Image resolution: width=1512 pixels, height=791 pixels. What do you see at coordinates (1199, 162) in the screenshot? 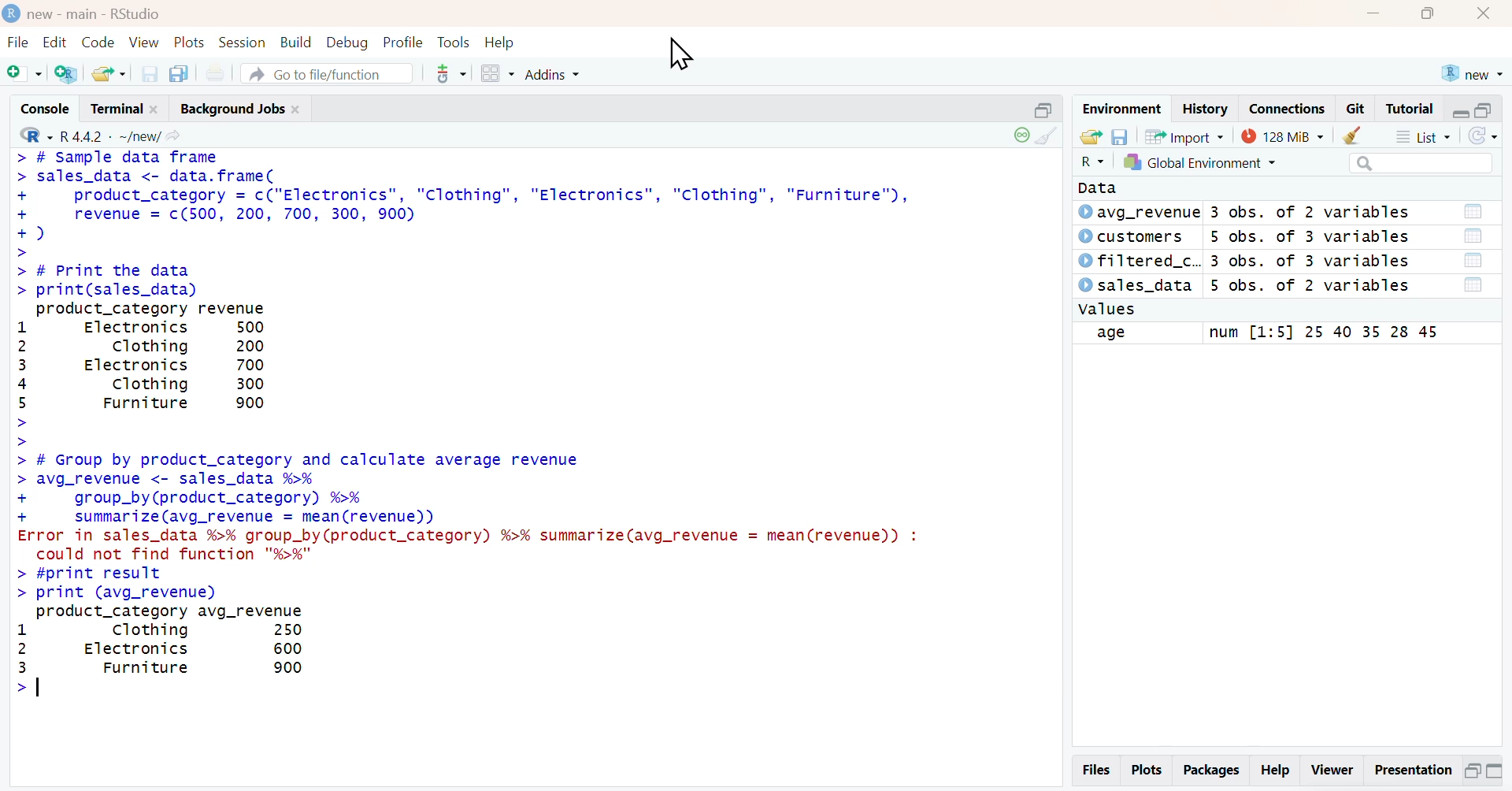
I see `Select Environment - Global Environment` at bounding box center [1199, 162].